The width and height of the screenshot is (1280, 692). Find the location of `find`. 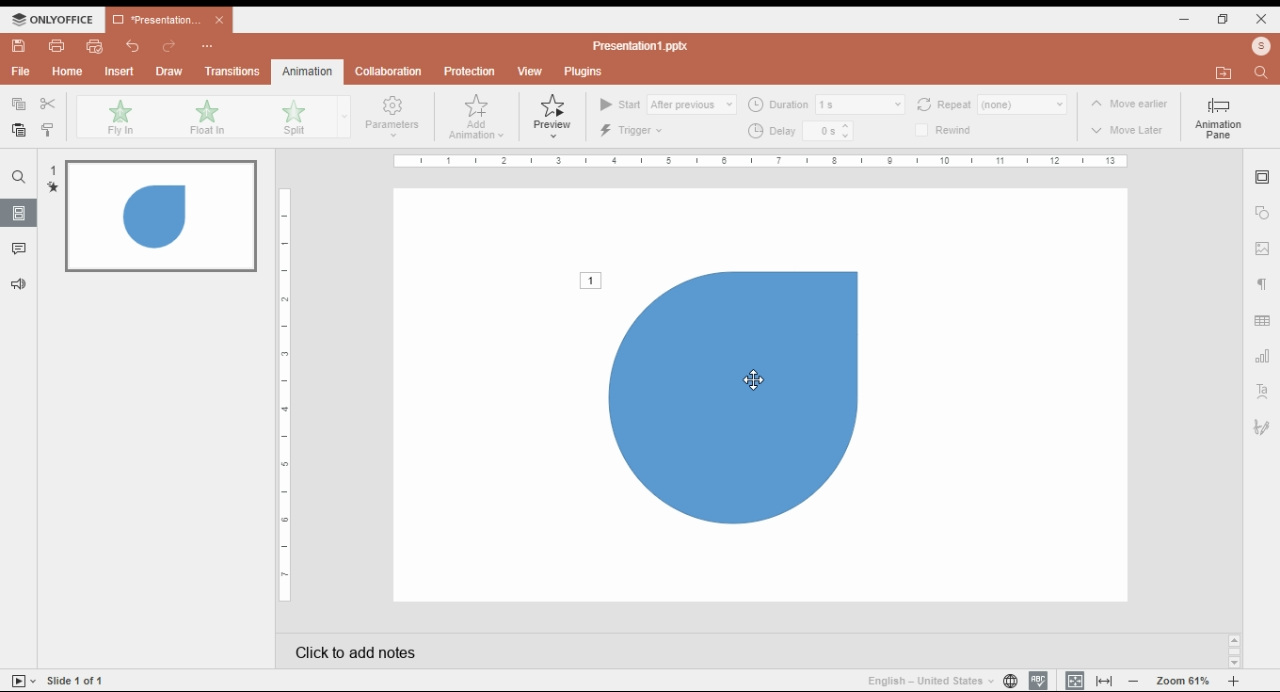

find is located at coordinates (1263, 73).